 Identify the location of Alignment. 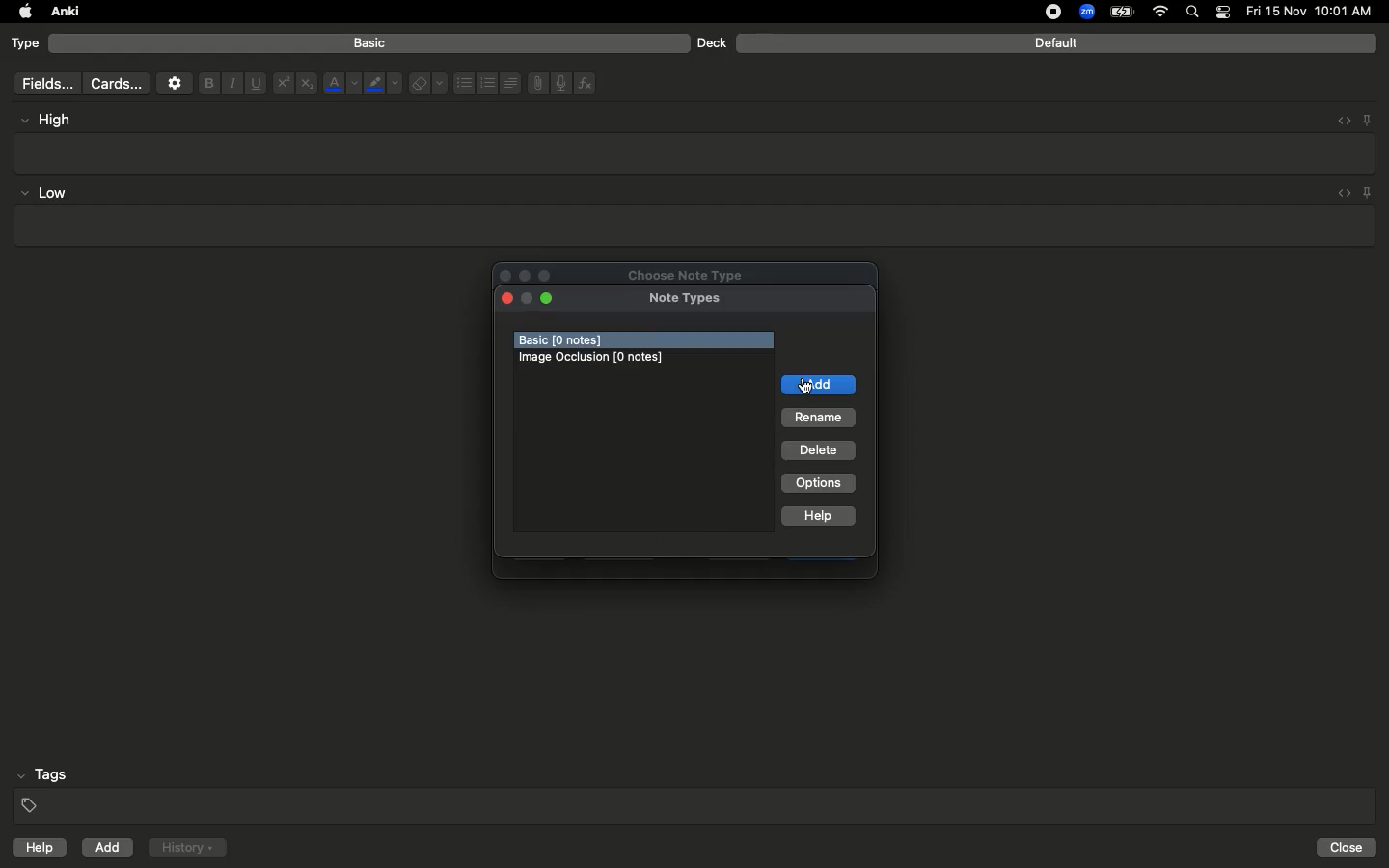
(508, 81).